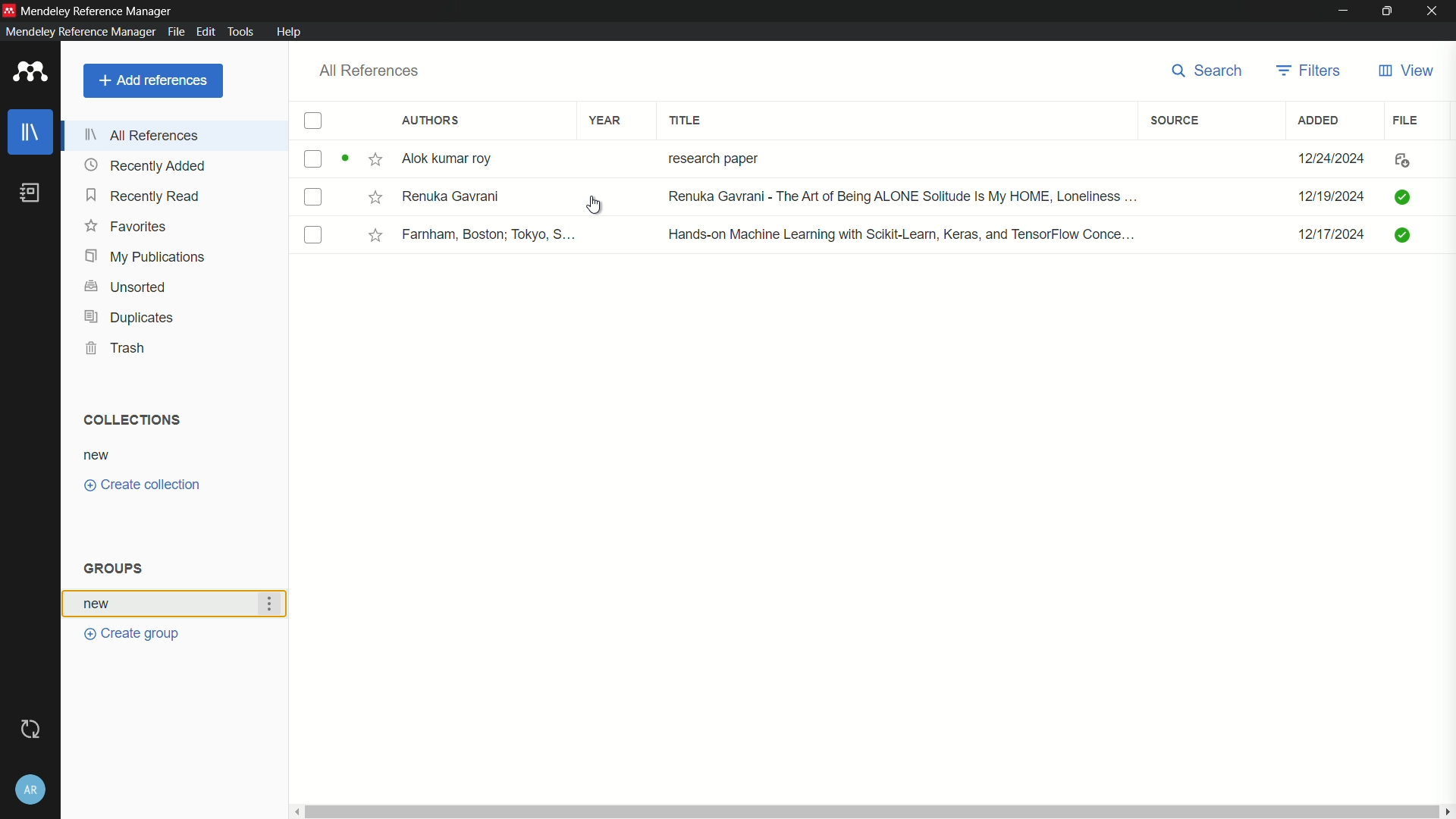 The width and height of the screenshot is (1456, 819). What do you see at coordinates (710, 155) in the screenshot?
I see `reserach paper` at bounding box center [710, 155].